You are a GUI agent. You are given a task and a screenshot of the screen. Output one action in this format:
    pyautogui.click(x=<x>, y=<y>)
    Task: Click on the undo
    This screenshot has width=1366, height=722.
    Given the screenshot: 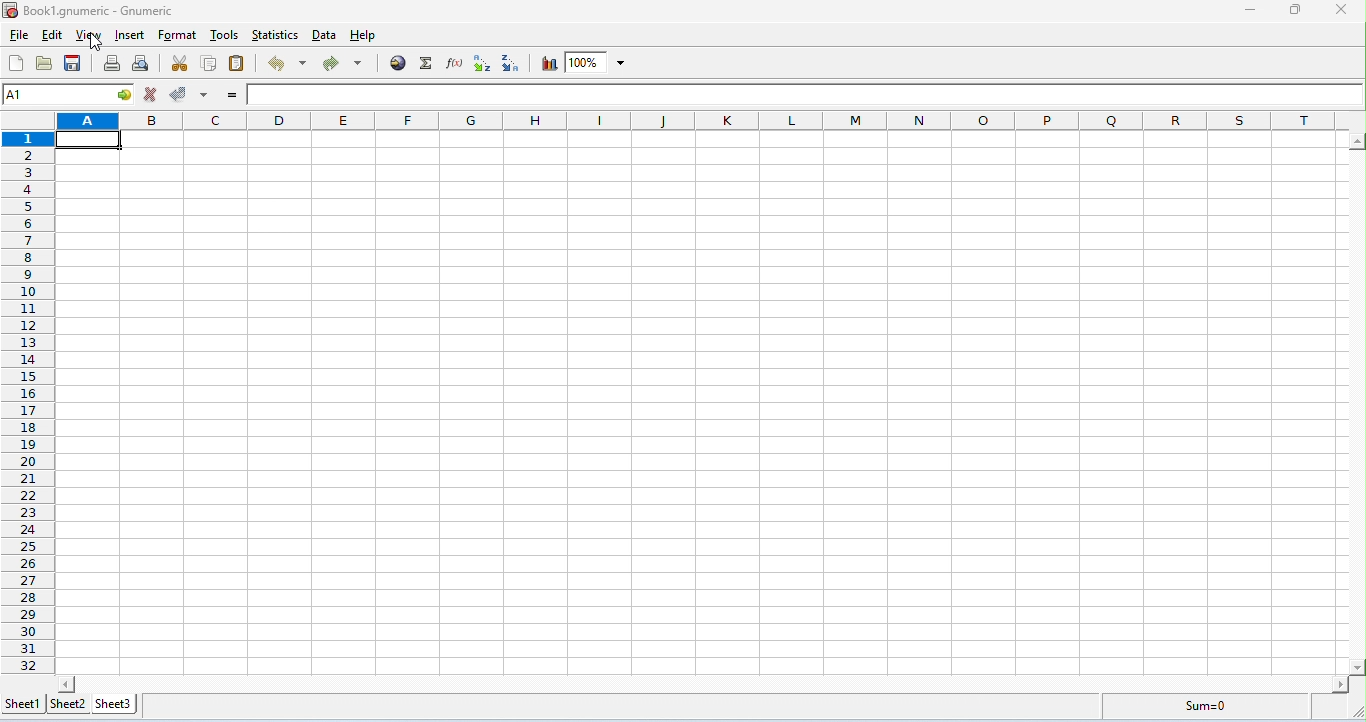 What is the action you would take?
    pyautogui.click(x=289, y=63)
    